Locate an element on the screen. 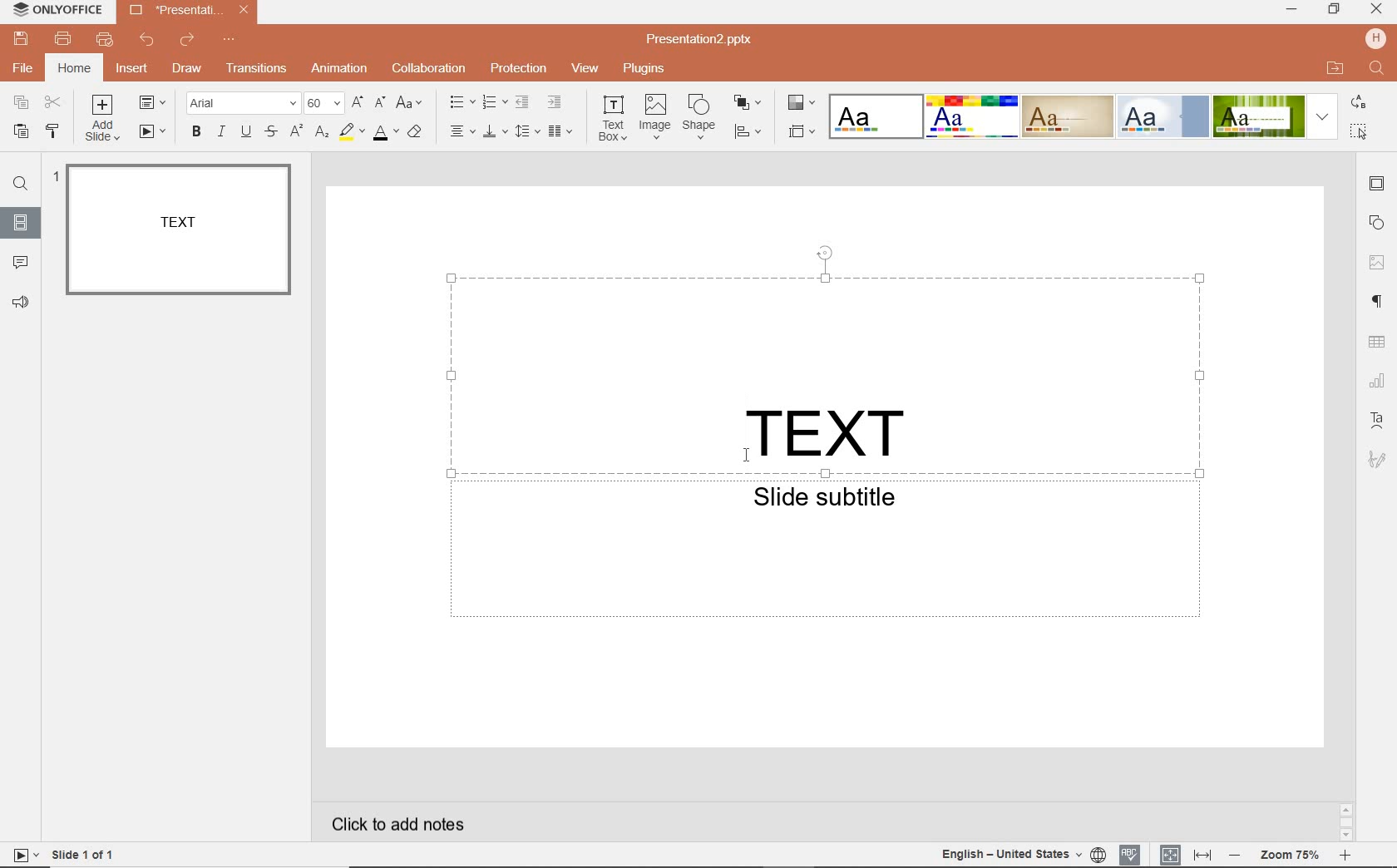 The height and width of the screenshot is (868, 1397). FONT SIZE is located at coordinates (325, 104).